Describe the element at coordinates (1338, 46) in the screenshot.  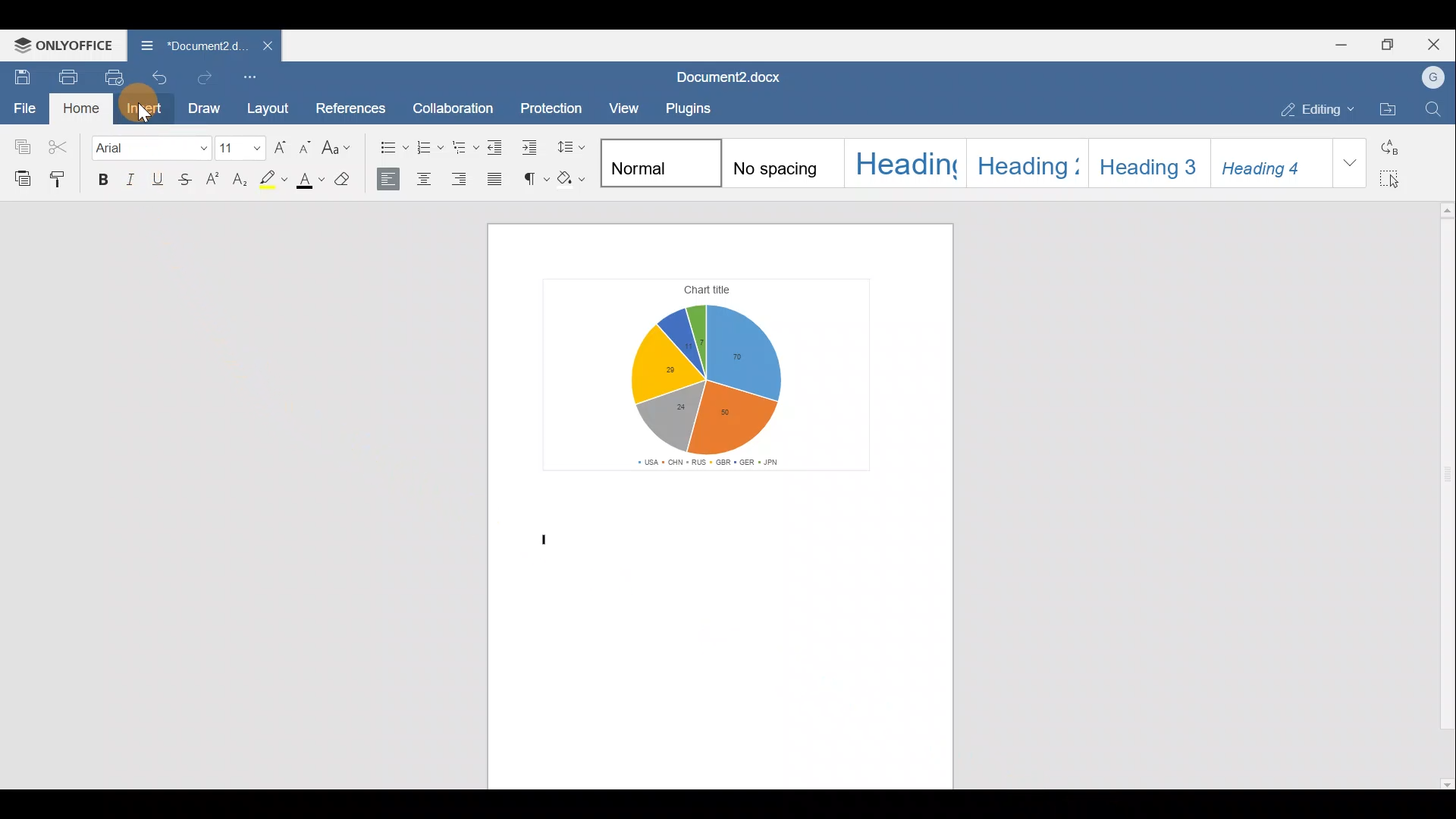
I see `Minimize` at that location.